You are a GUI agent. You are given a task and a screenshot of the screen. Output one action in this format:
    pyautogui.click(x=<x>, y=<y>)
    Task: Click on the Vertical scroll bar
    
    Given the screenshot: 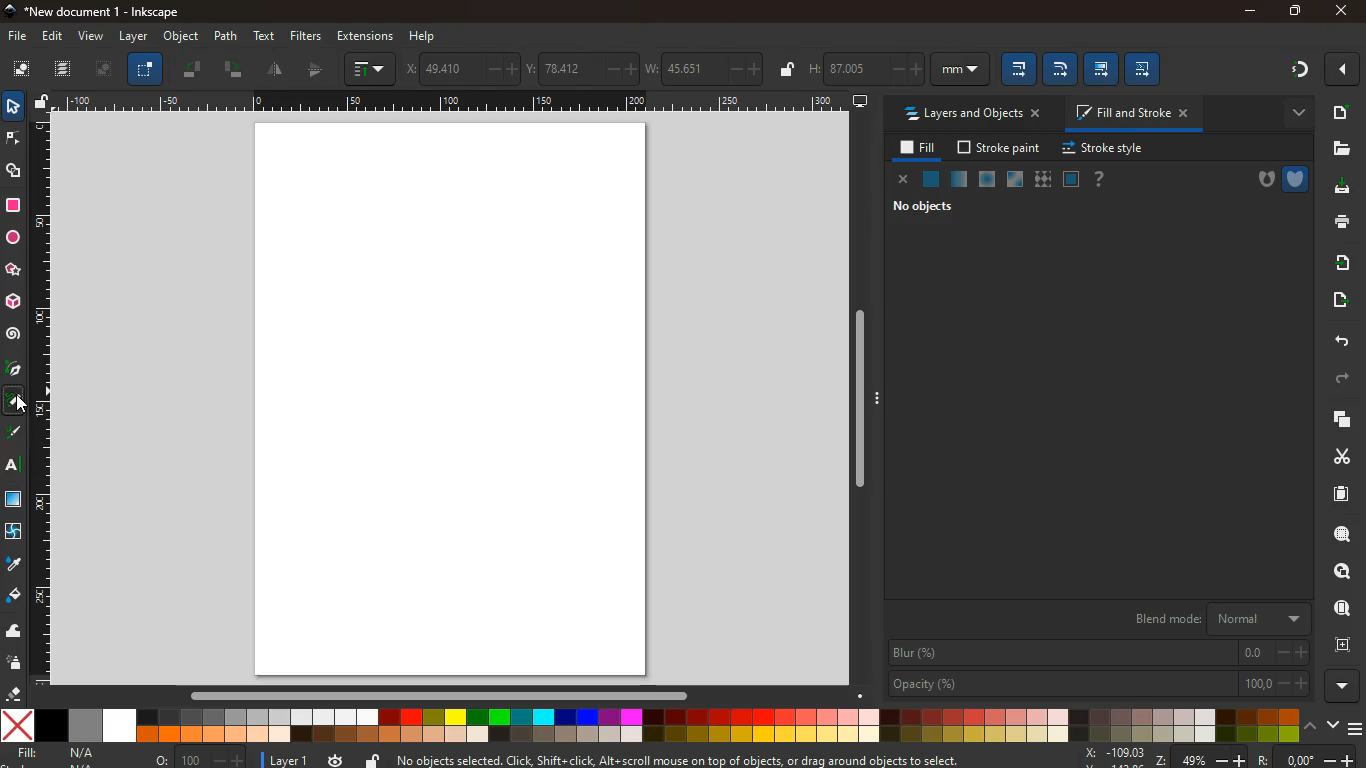 What is the action you would take?
    pyautogui.click(x=855, y=399)
    